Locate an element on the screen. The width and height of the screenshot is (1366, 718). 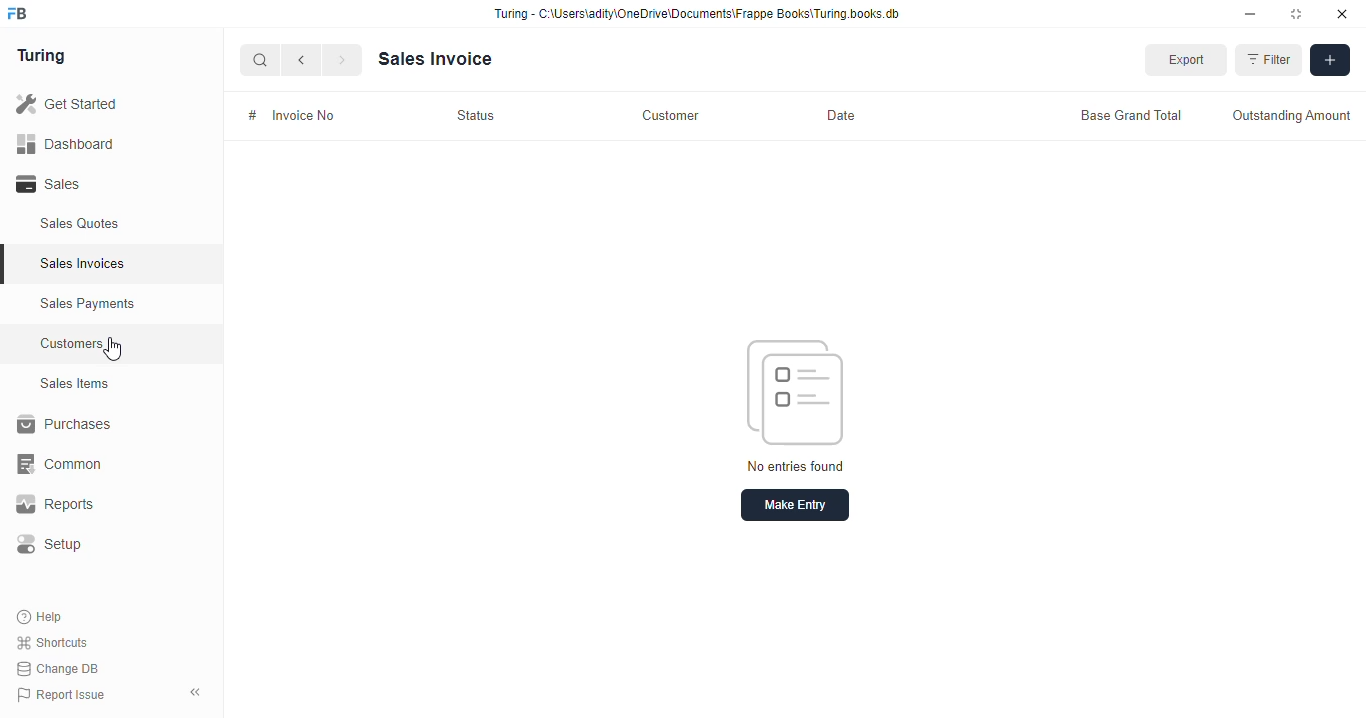
minimise is located at coordinates (1251, 14).